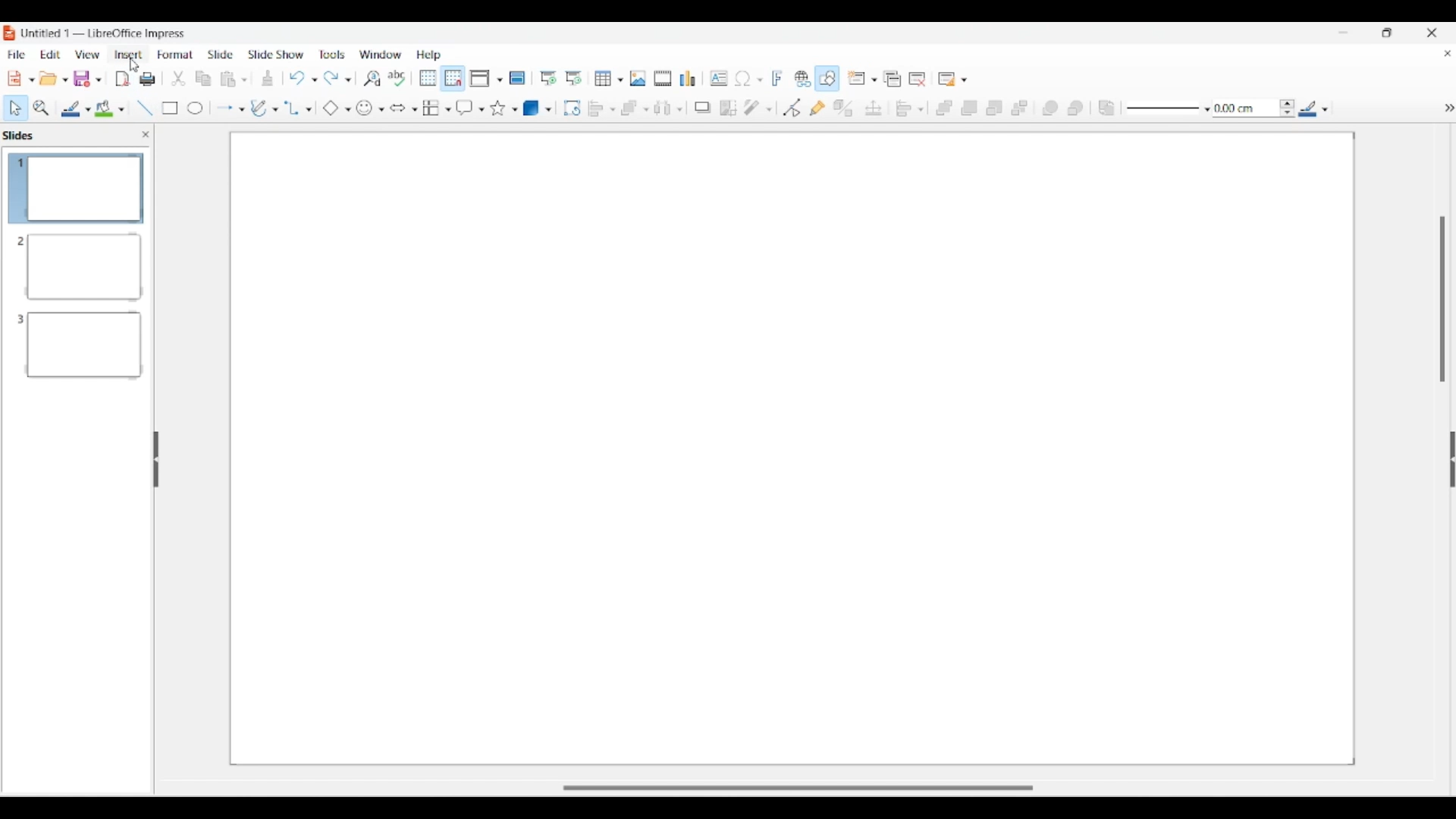 The height and width of the screenshot is (819, 1456). What do you see at coordinates (1169, 109) in the screenshot?
I see `Line style options` at bounding box center [1169, 109].